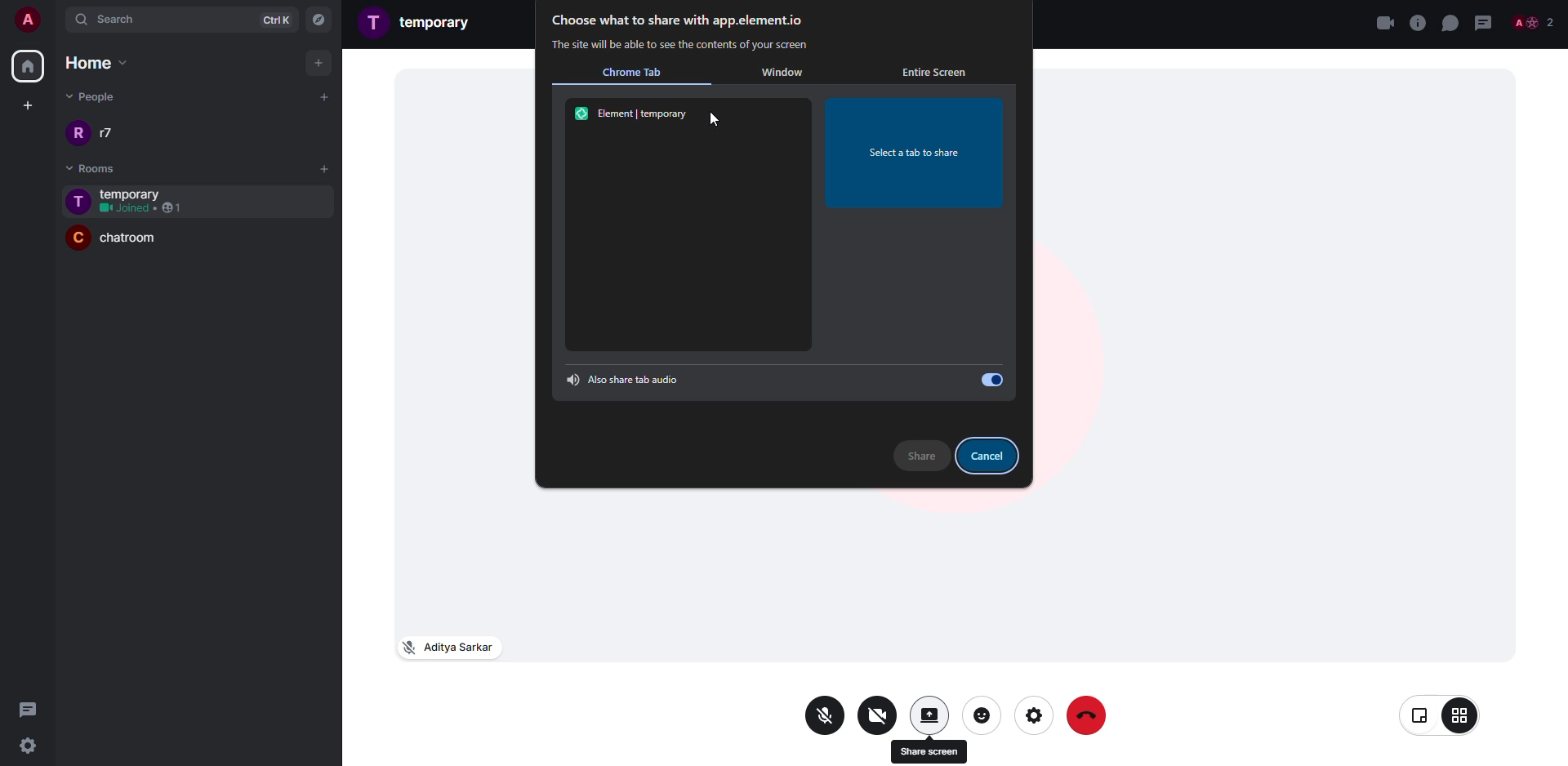  Describe the element at coordinates (680, 46) in the screenshot. I see `info` at that location.